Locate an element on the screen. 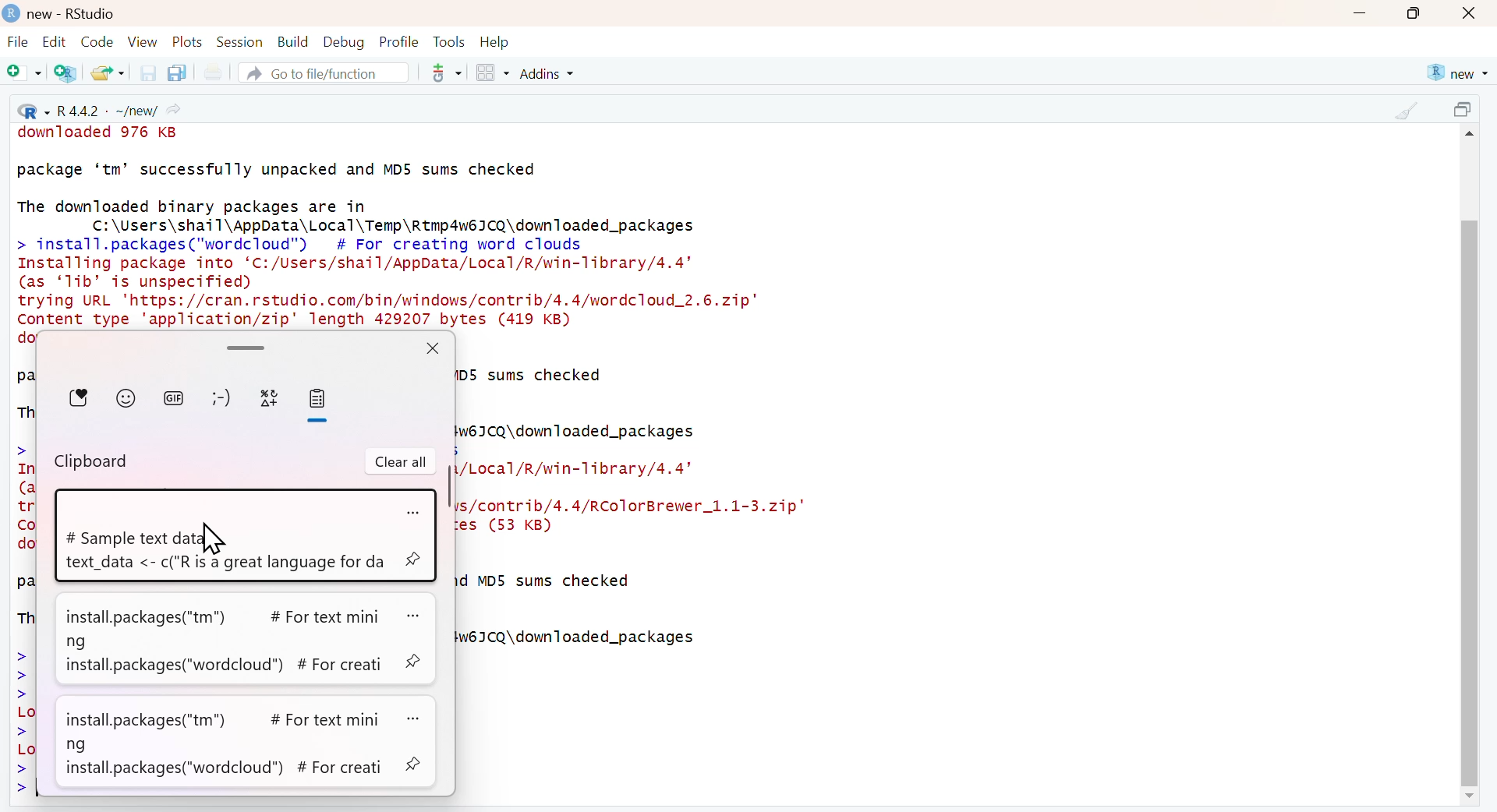 The image size is (1497, 812). more options is located at coordinates (445, 72).